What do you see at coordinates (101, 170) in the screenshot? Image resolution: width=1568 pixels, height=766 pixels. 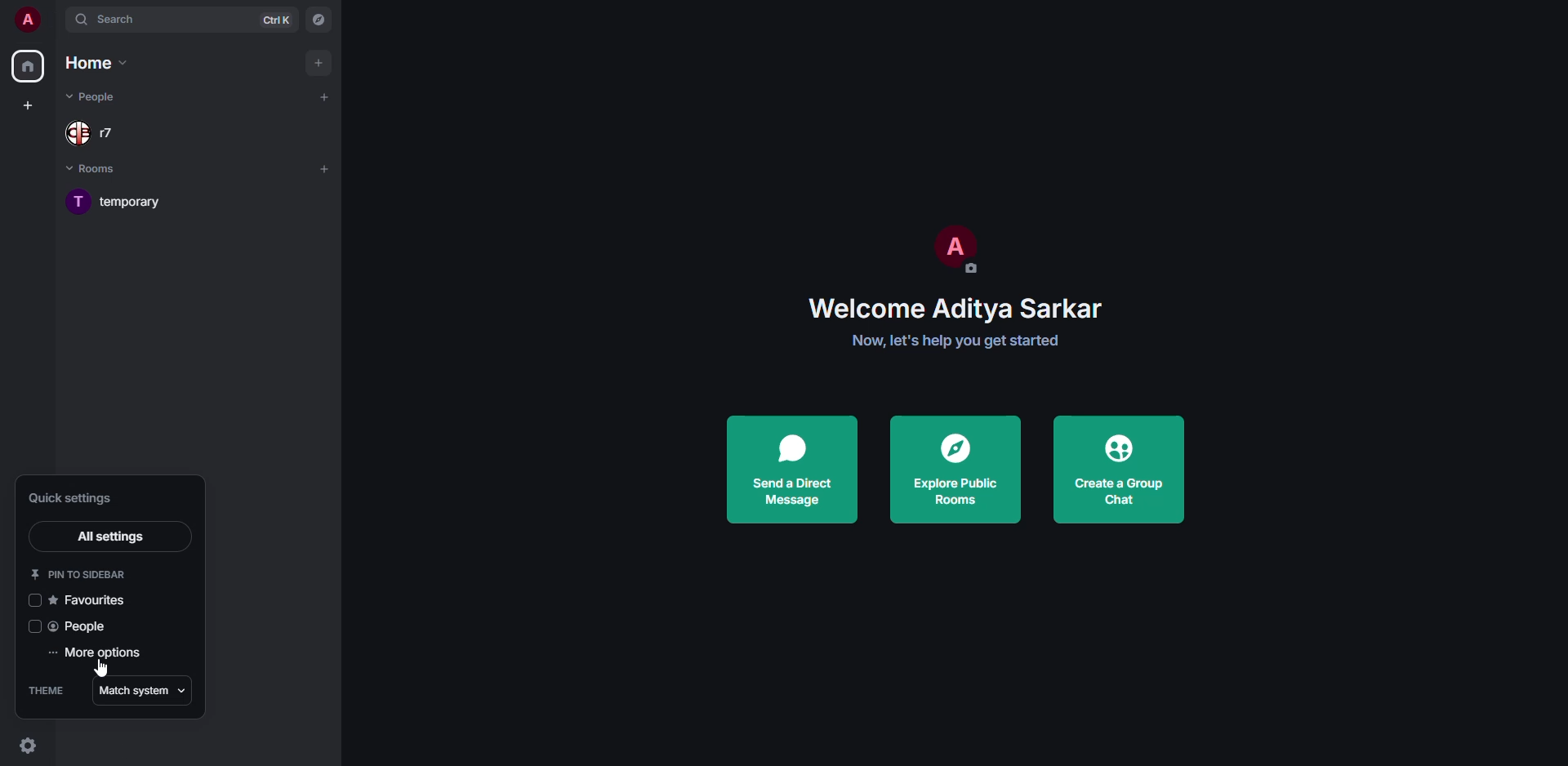 I see `rooms` at bounding box center [101, 170].